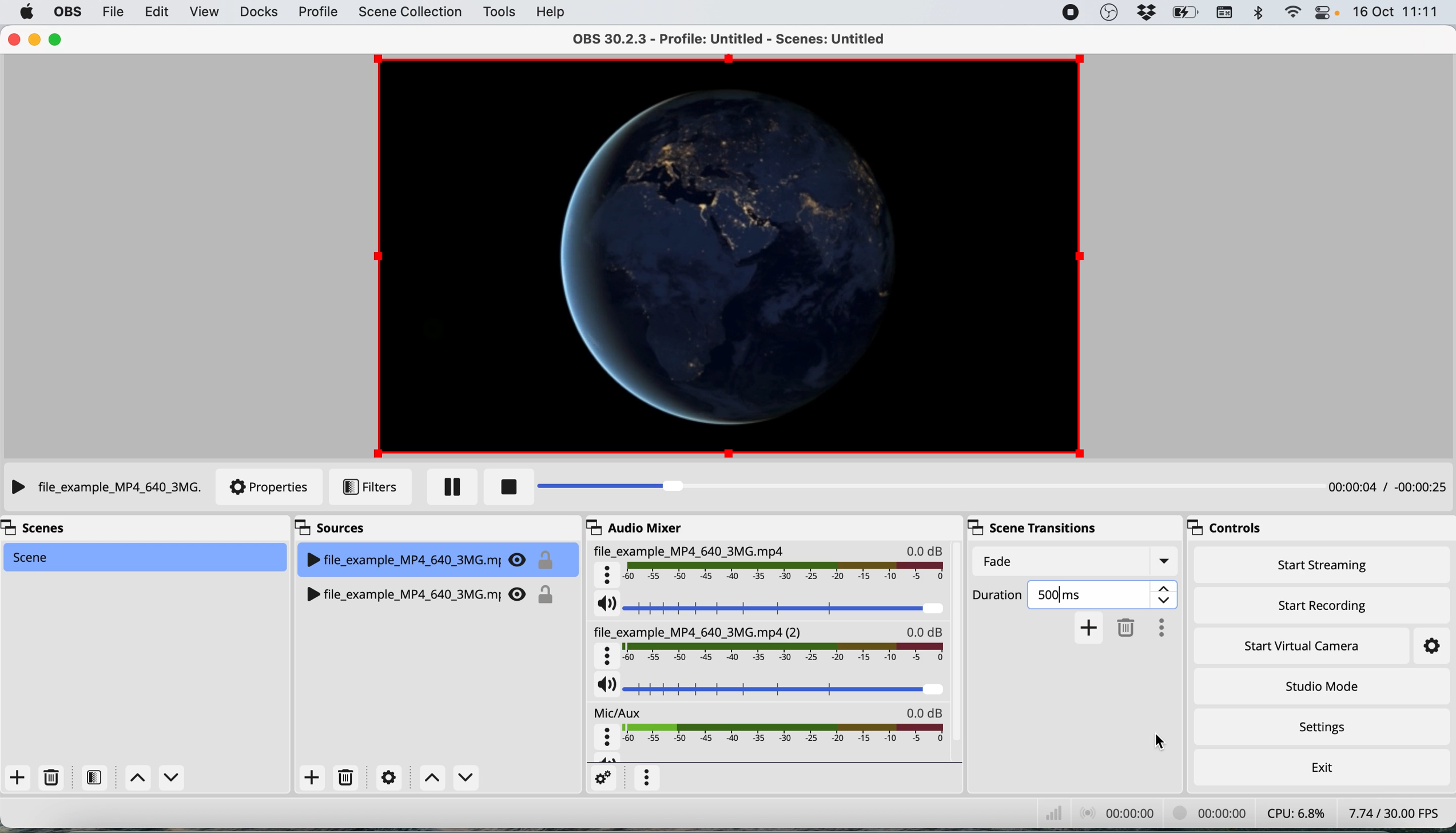 The height and width of the screenshot is (833, 1456). Describe the element at coordinates (104, 487) in the screenshot. I see `current source` at that location.